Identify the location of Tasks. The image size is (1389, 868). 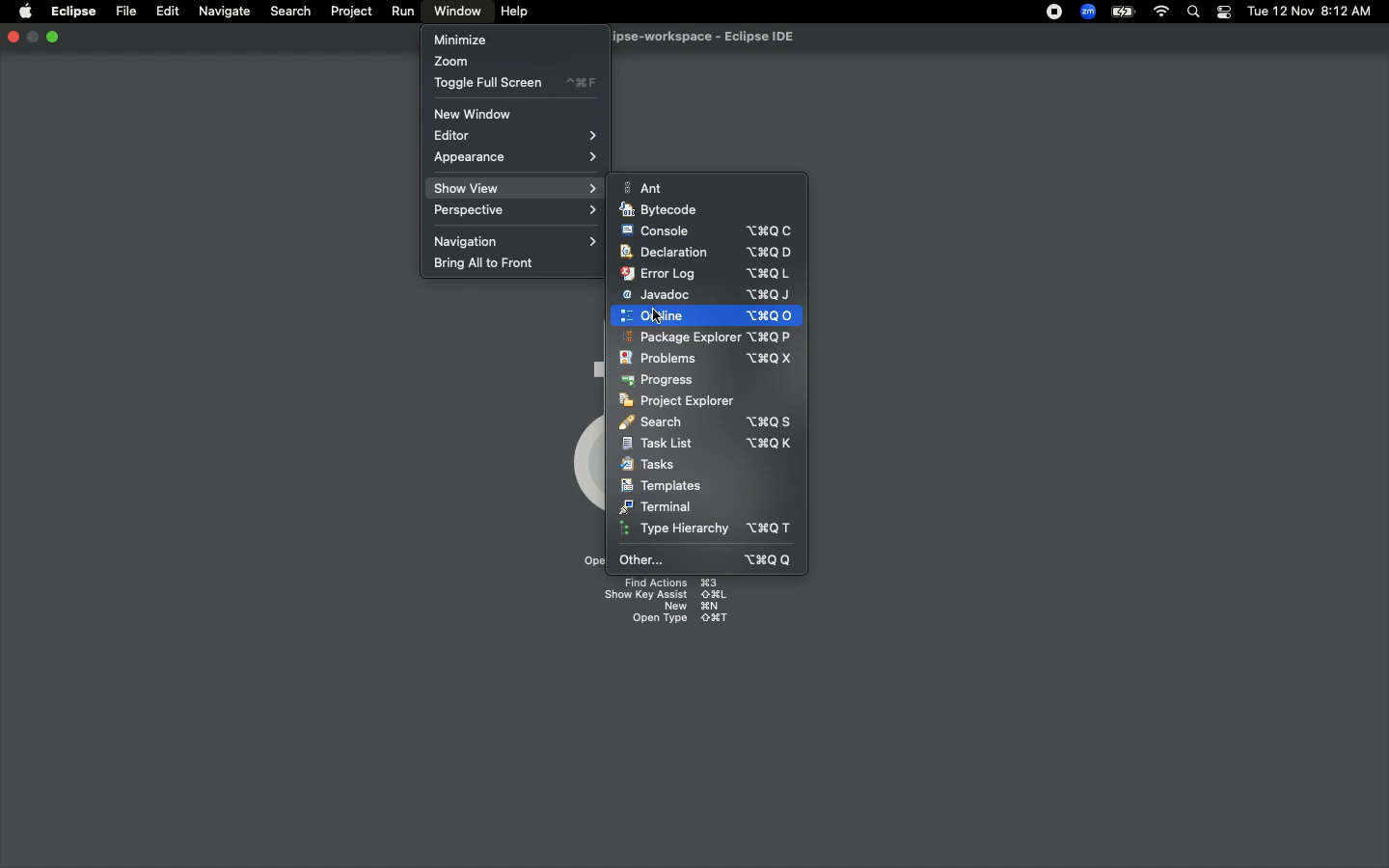
(648, 464).